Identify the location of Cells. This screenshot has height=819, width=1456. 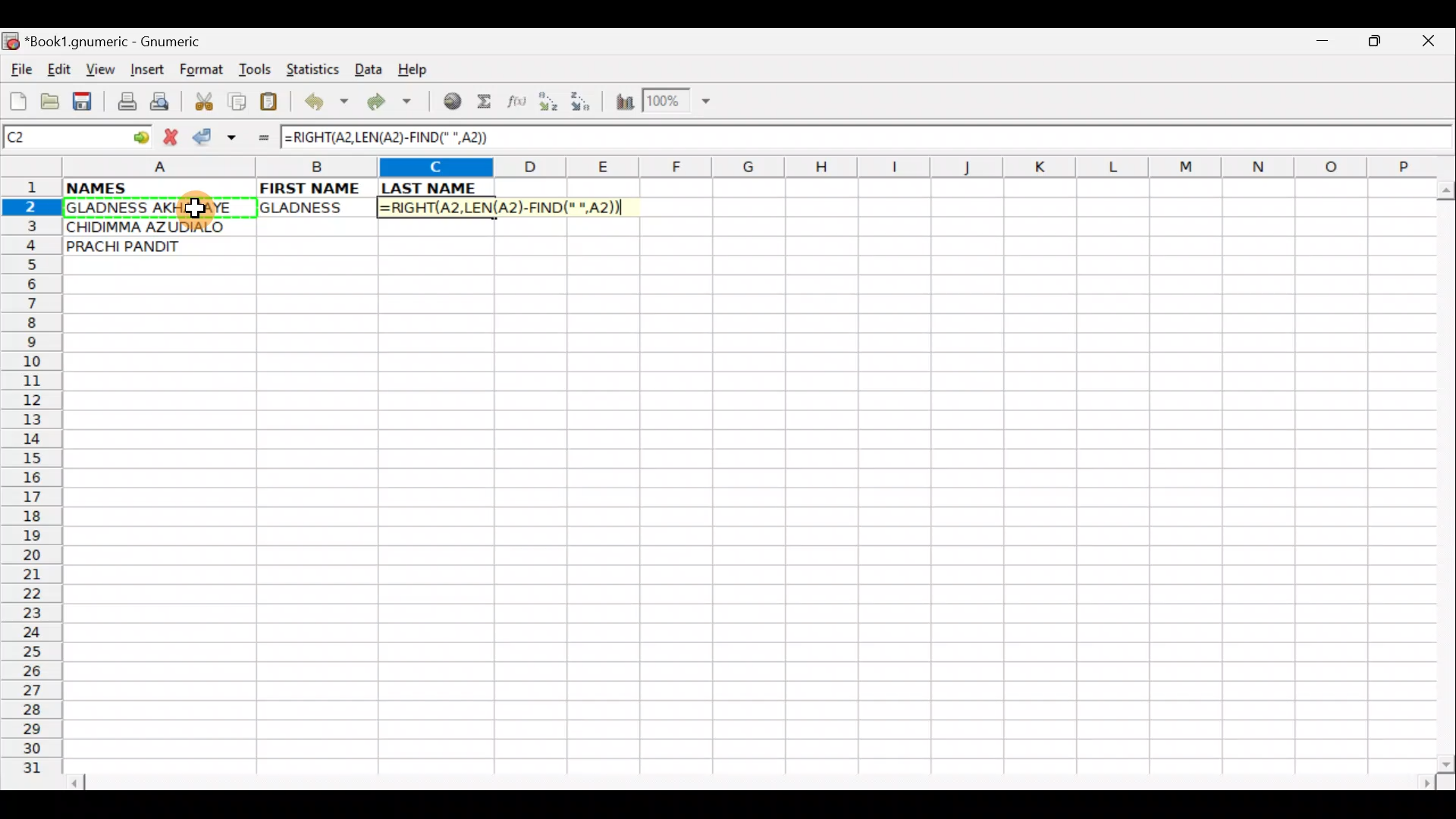
(754, 526).